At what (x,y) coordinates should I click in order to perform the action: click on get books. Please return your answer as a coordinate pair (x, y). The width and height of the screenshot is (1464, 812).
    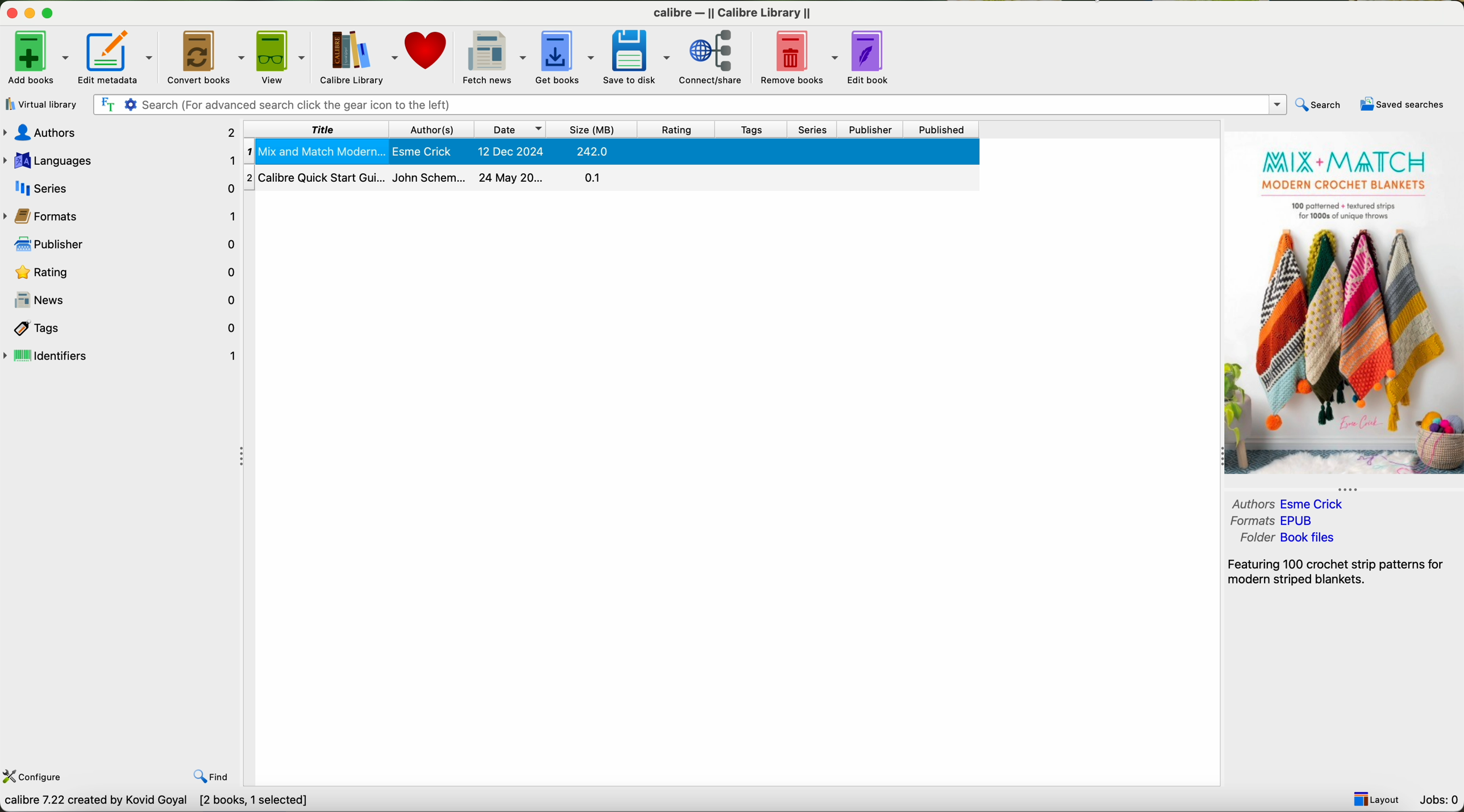
    Looking at the image, I should click on (565, 56).